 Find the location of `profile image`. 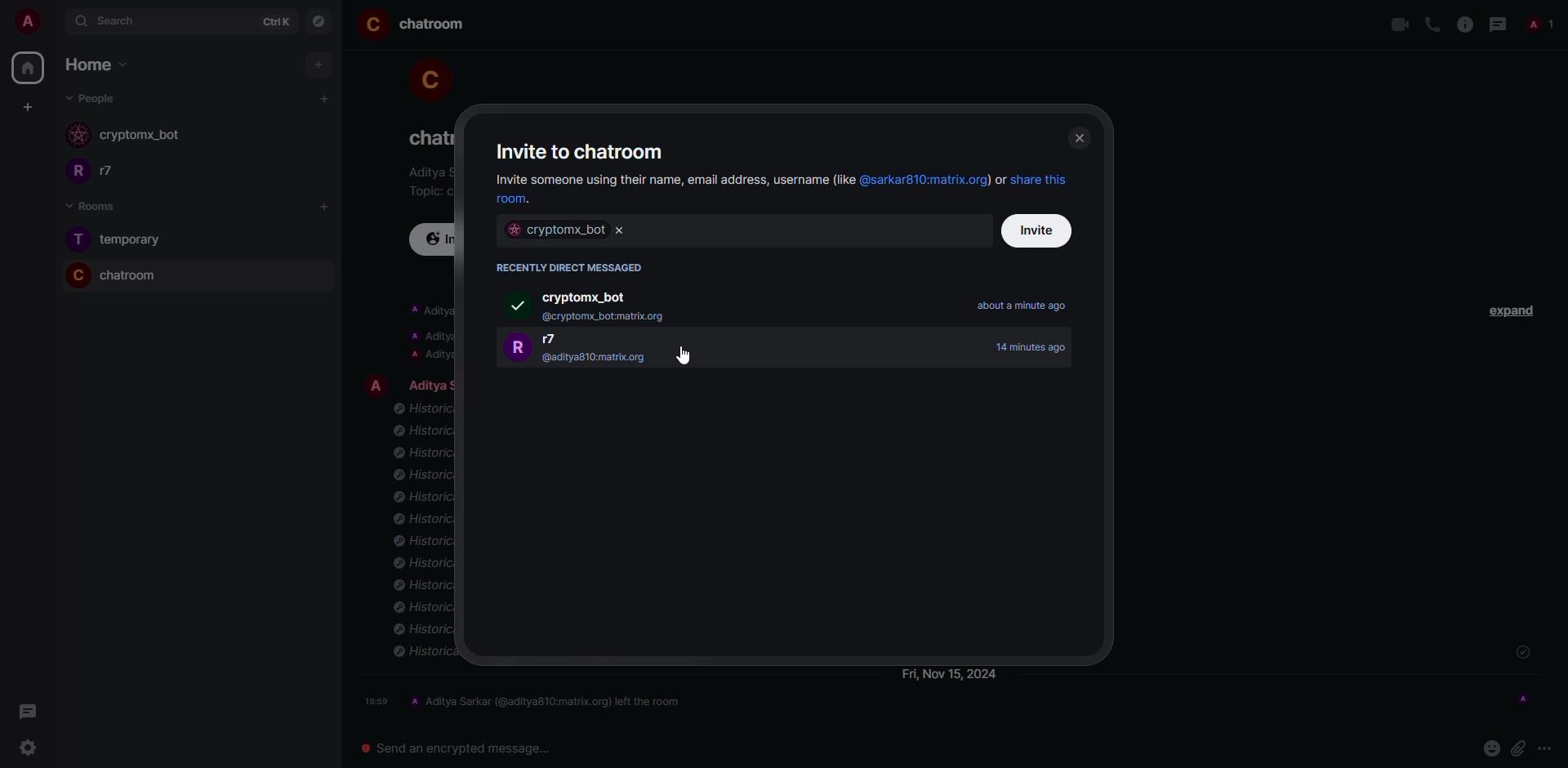

profile image is located at coordinates (79, 136).